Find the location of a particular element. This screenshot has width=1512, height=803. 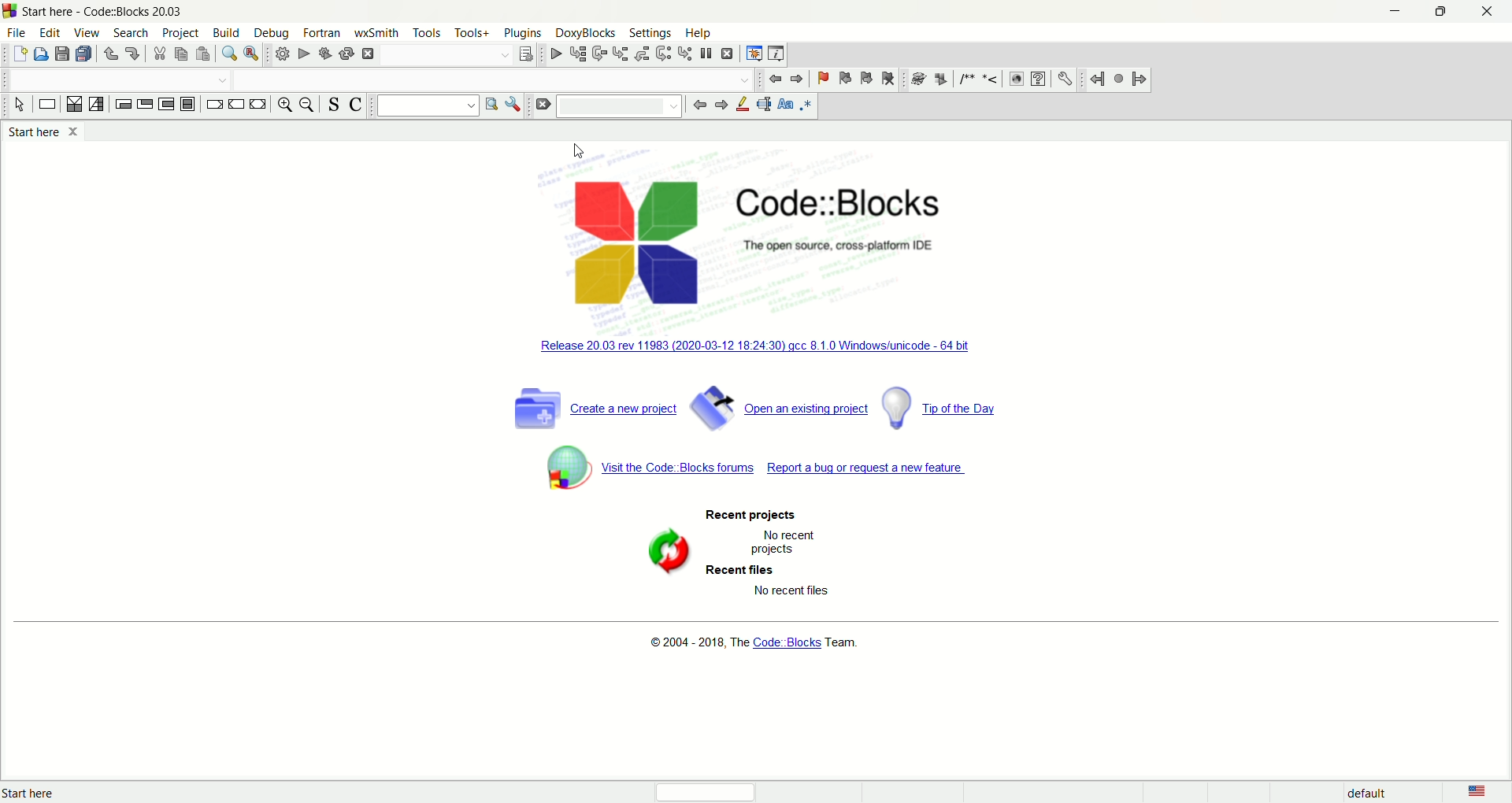

edit is located at coordinates (52, 34).